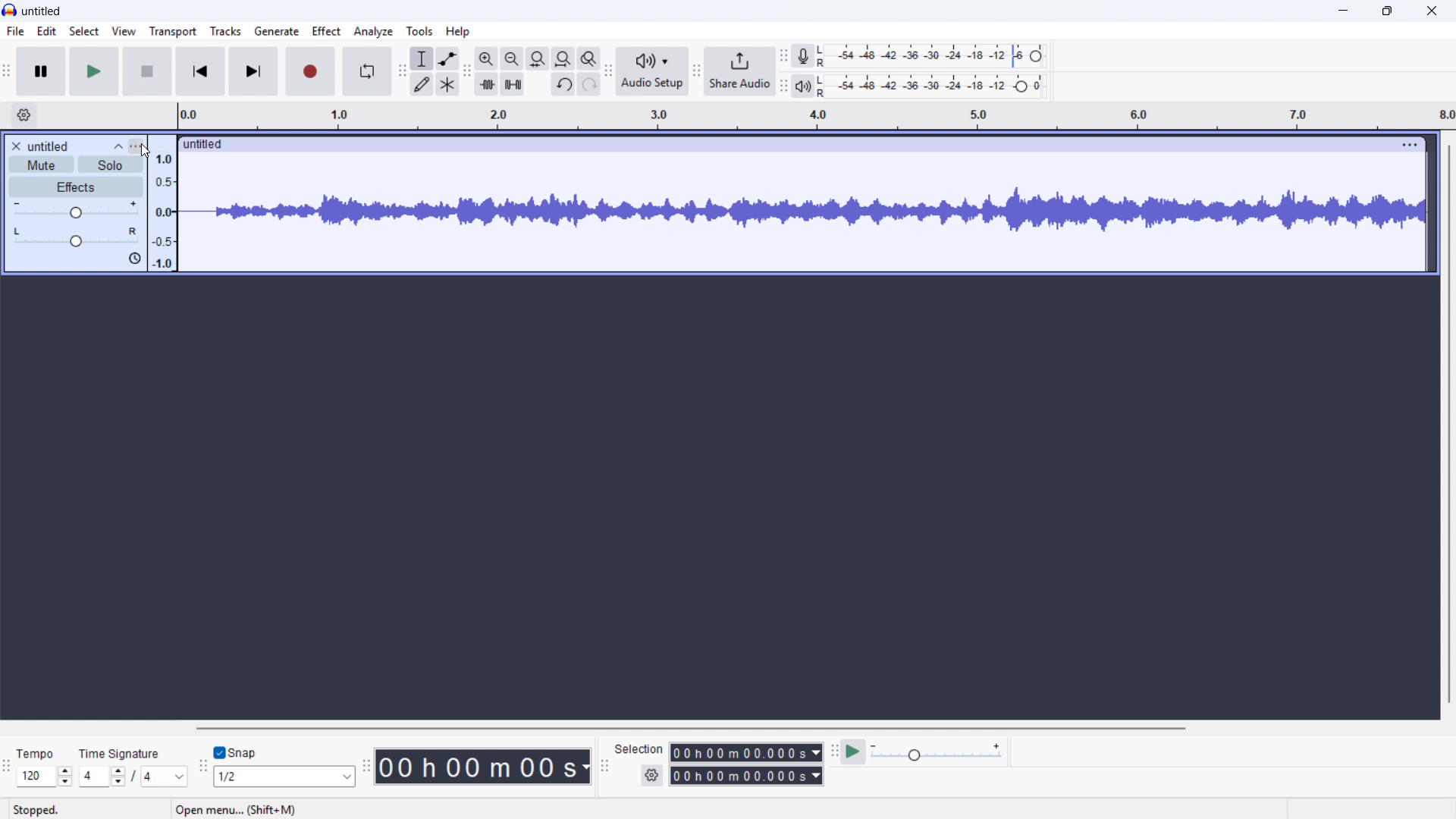  What do you see at coordinates (226, 30) in the screenshot?
I see `Tracks ` at bounding box center [226, 30].